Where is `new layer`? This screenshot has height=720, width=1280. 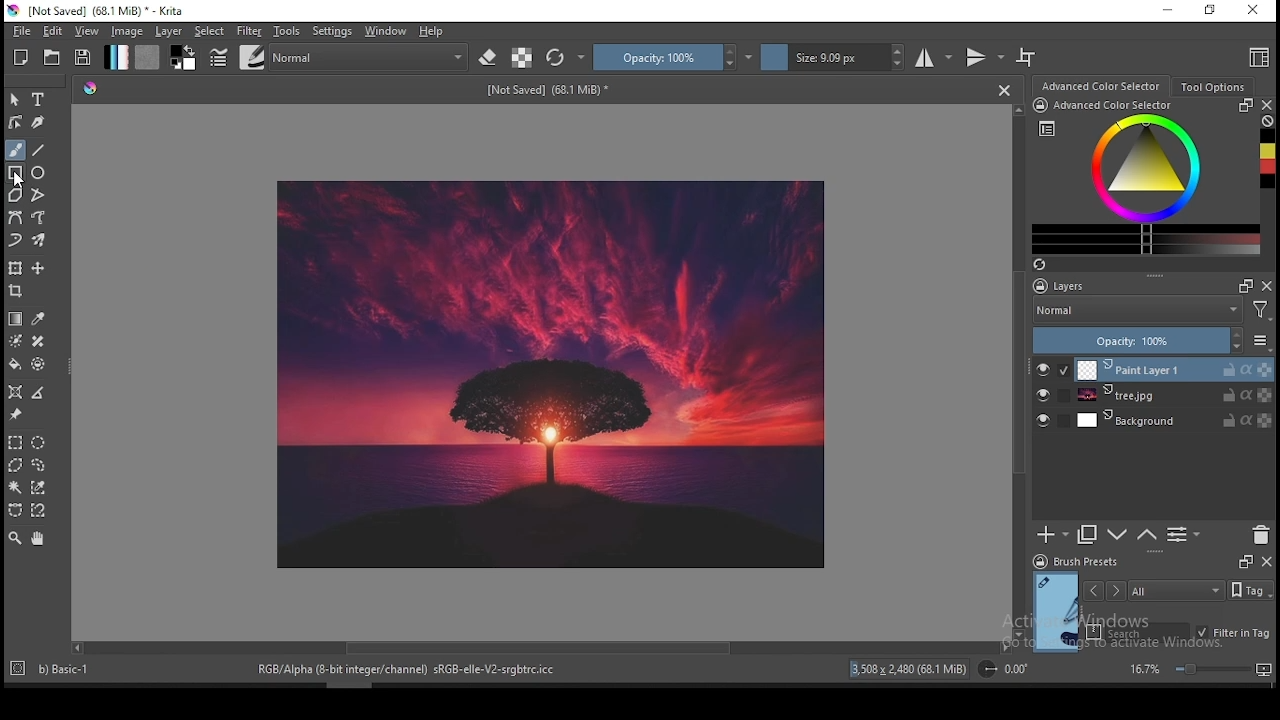 new layer is located at coordinates (1053, 536).